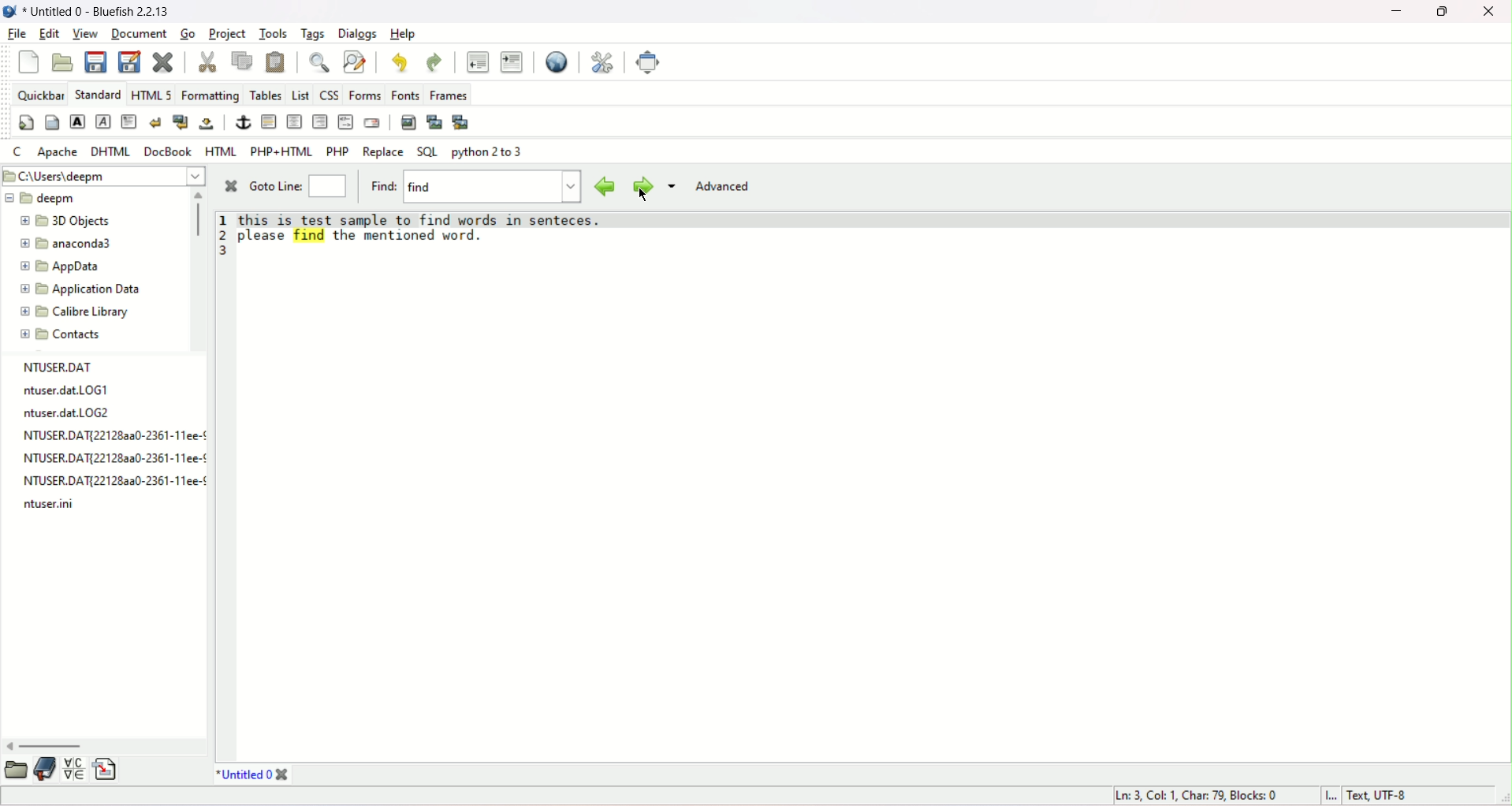  What do you see at coordinates (98, 94) in the screenshot?
I see `standard` at bounding box center [98, 94].